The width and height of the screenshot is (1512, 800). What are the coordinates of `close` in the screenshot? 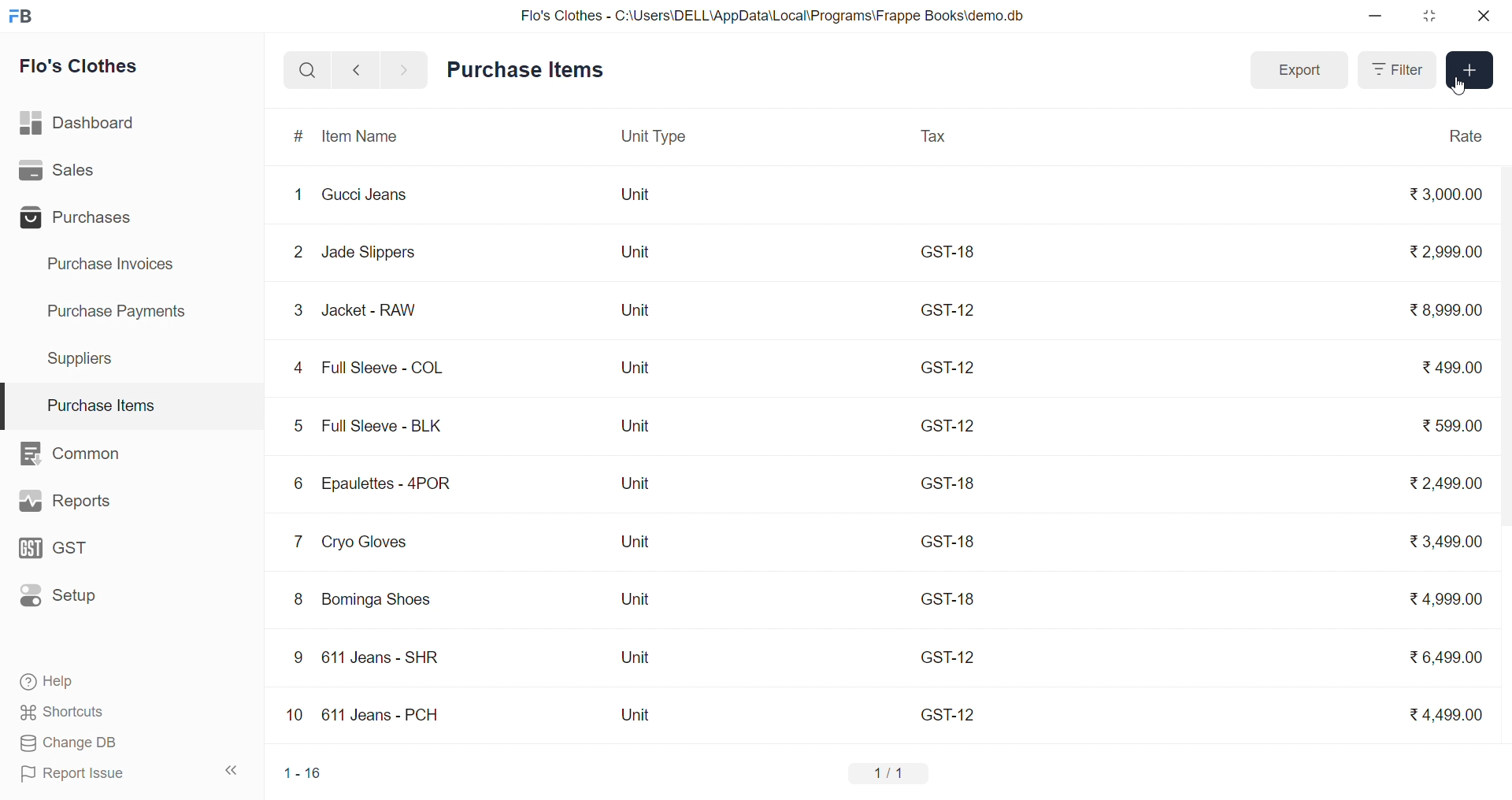 It's located at (1478, 16).